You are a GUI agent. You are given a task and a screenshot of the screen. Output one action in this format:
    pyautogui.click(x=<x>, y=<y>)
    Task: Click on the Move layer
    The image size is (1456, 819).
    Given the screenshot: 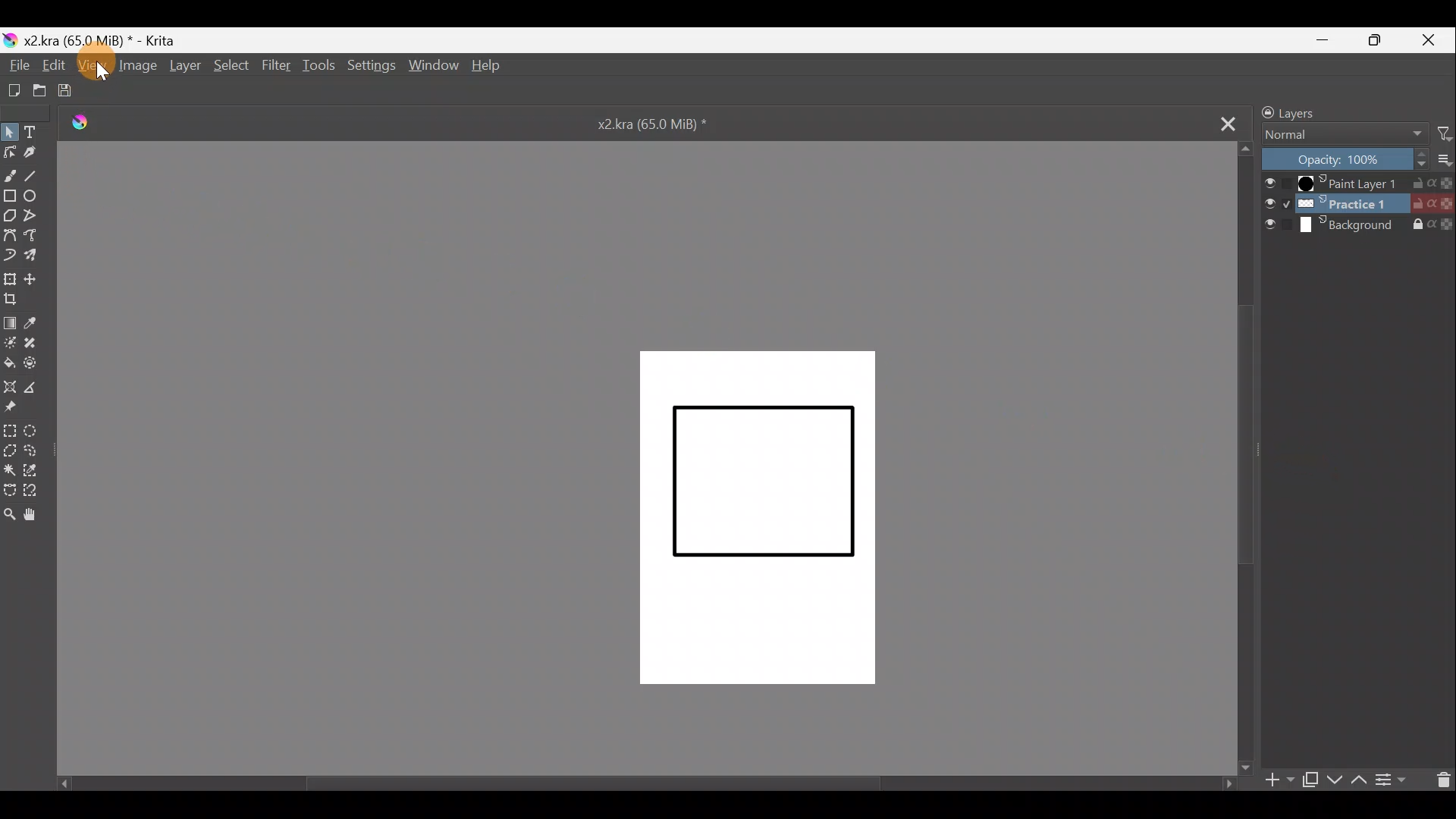 What is the action you would take?
    pyautogui.click(x=37, y=277)
    